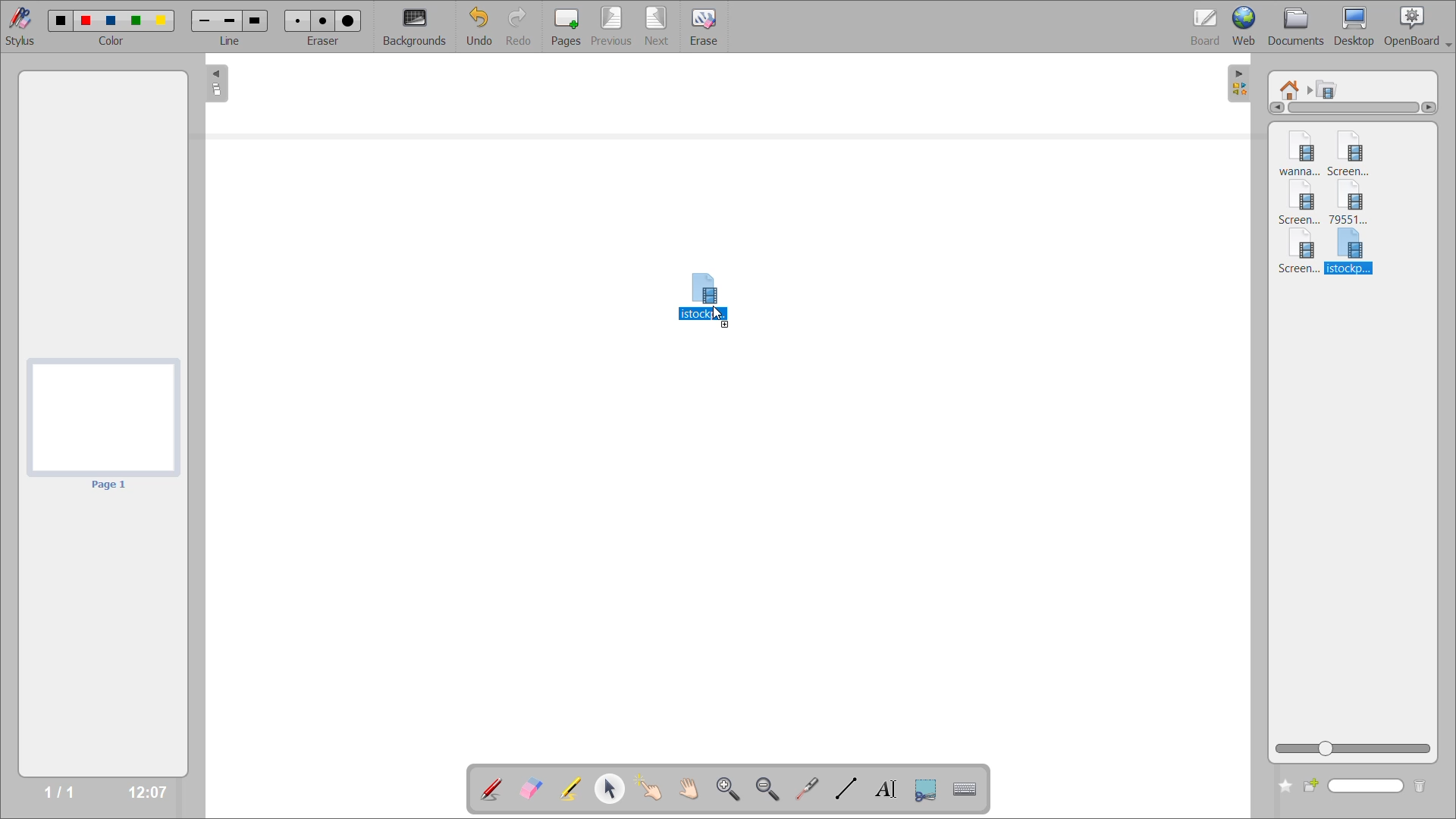 The width and height of the screenshot is (1456, 819). I want to click on collapse, so click(1241, 81).